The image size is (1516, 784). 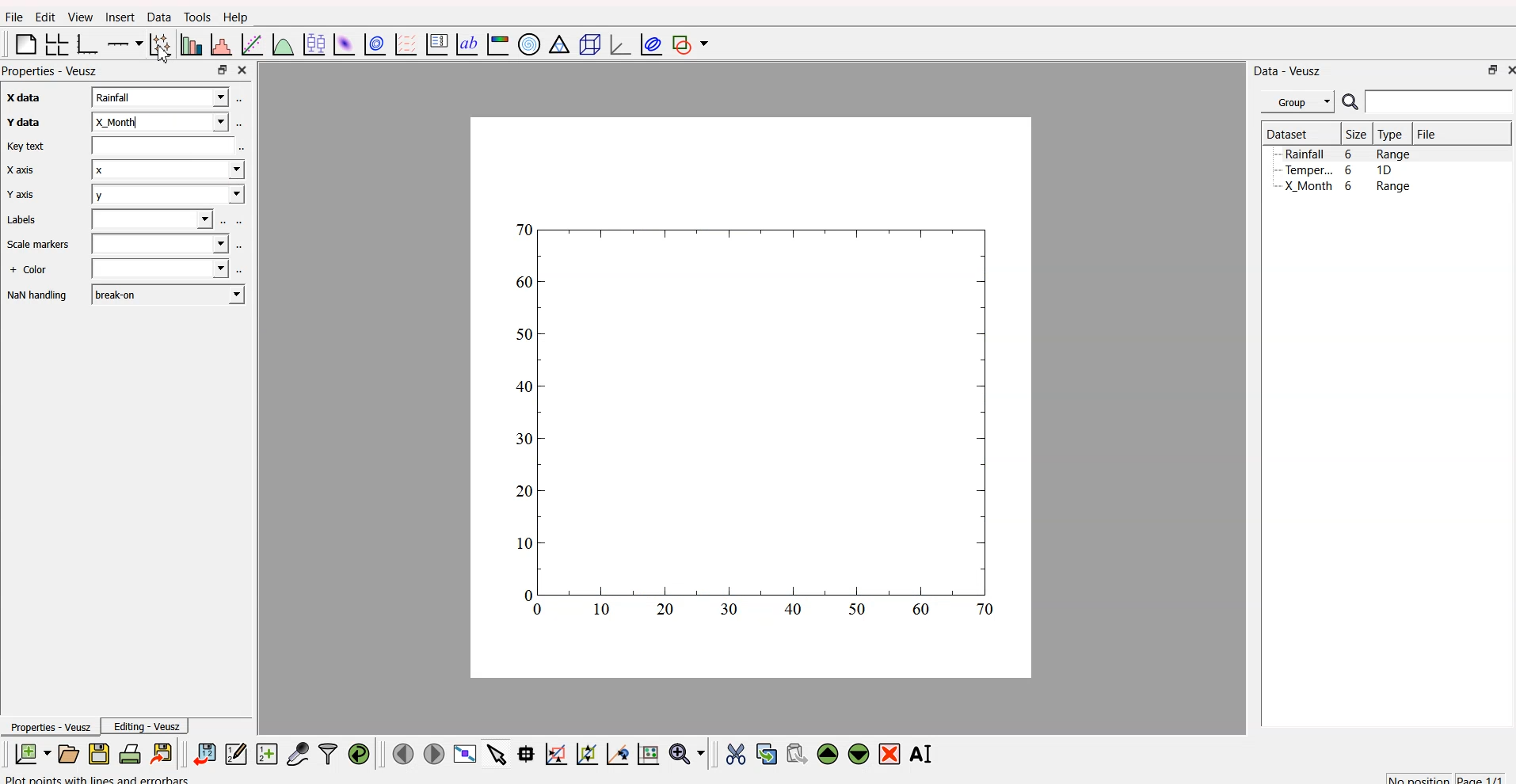 I want to click on Editing - Veusz |, so click(x=148, y=726).